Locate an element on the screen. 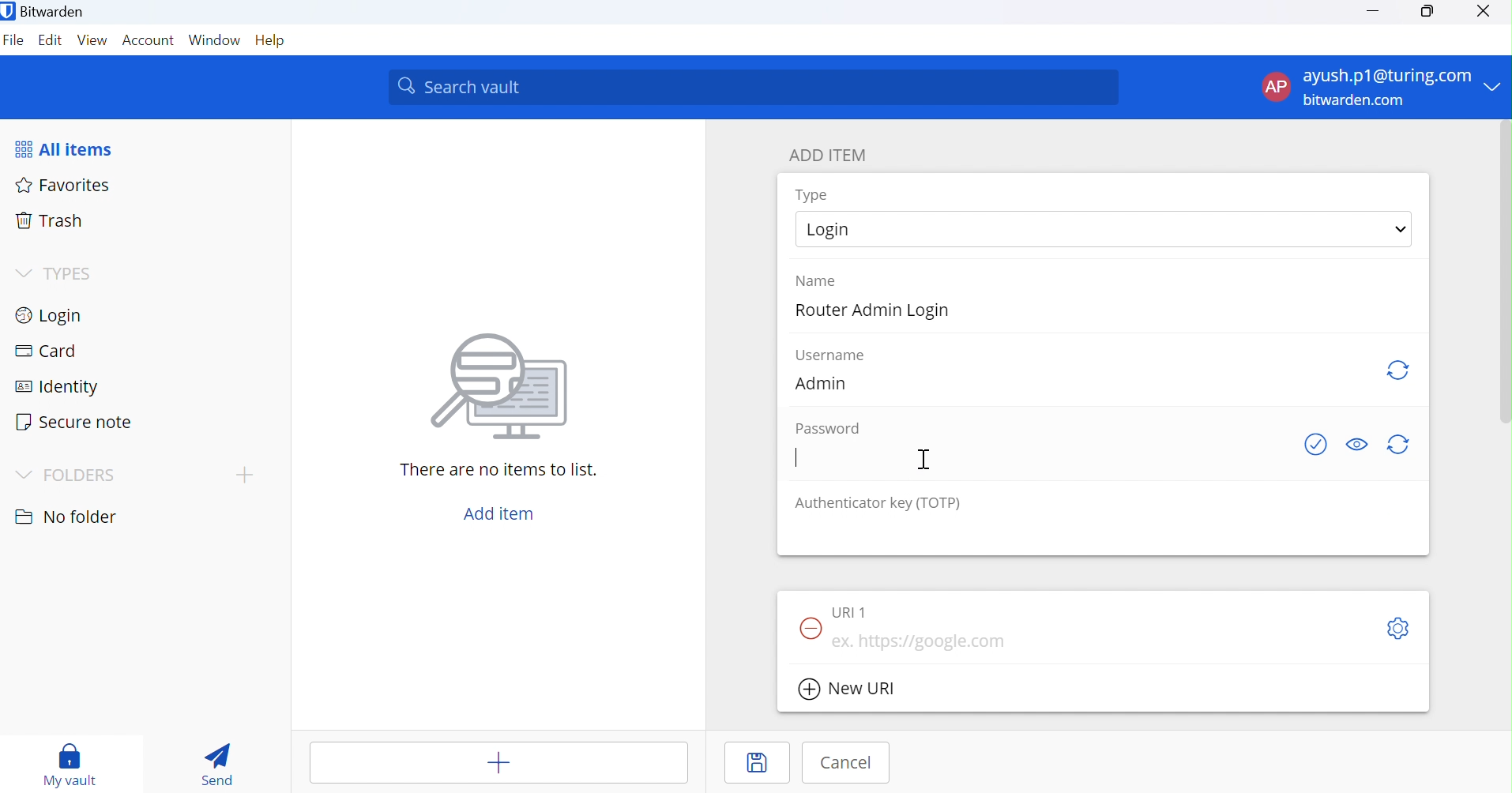  ADD ITEM is located at coordinates (834, 155).